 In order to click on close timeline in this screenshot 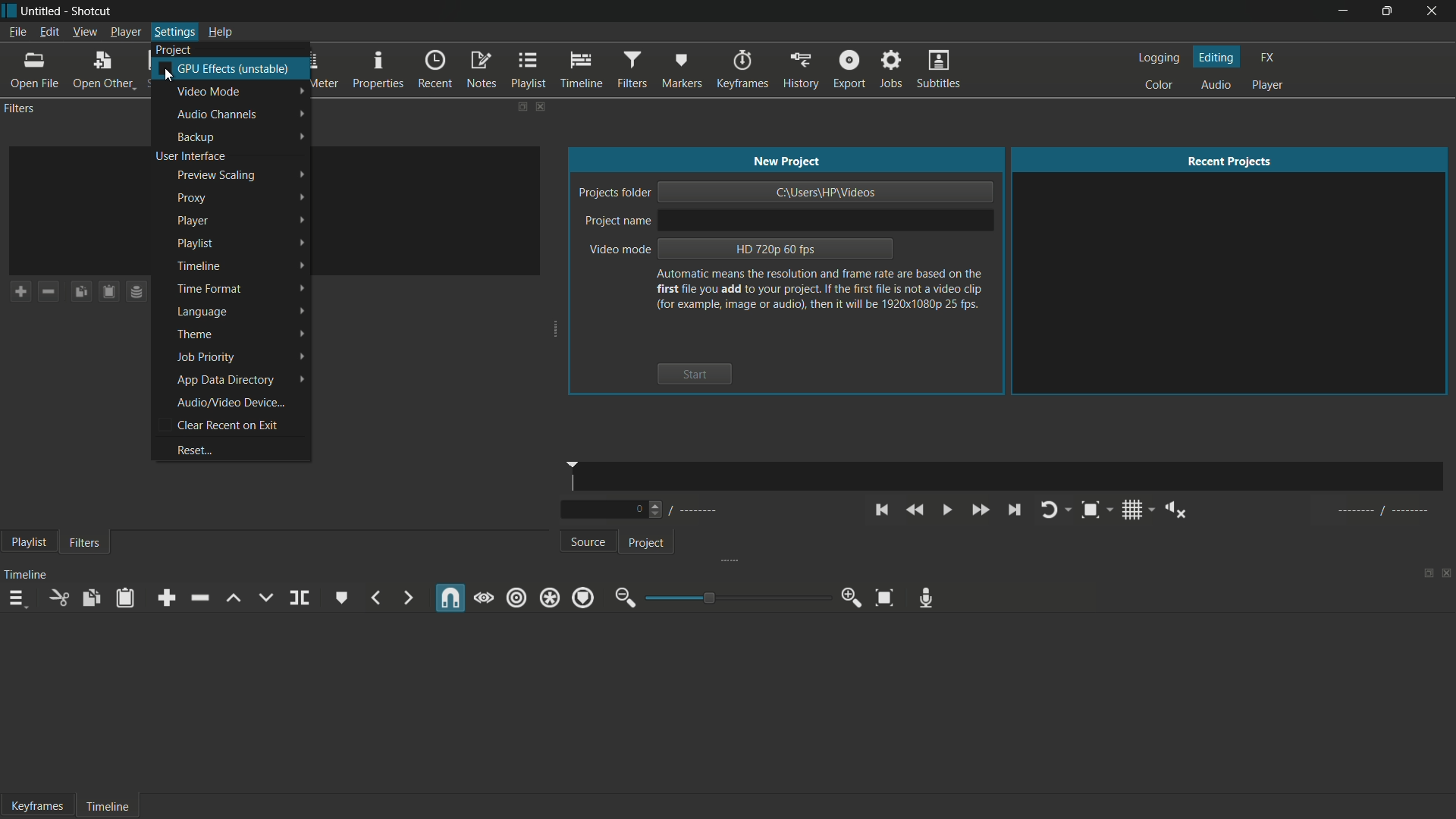, I will do `click(1447, 573)`.